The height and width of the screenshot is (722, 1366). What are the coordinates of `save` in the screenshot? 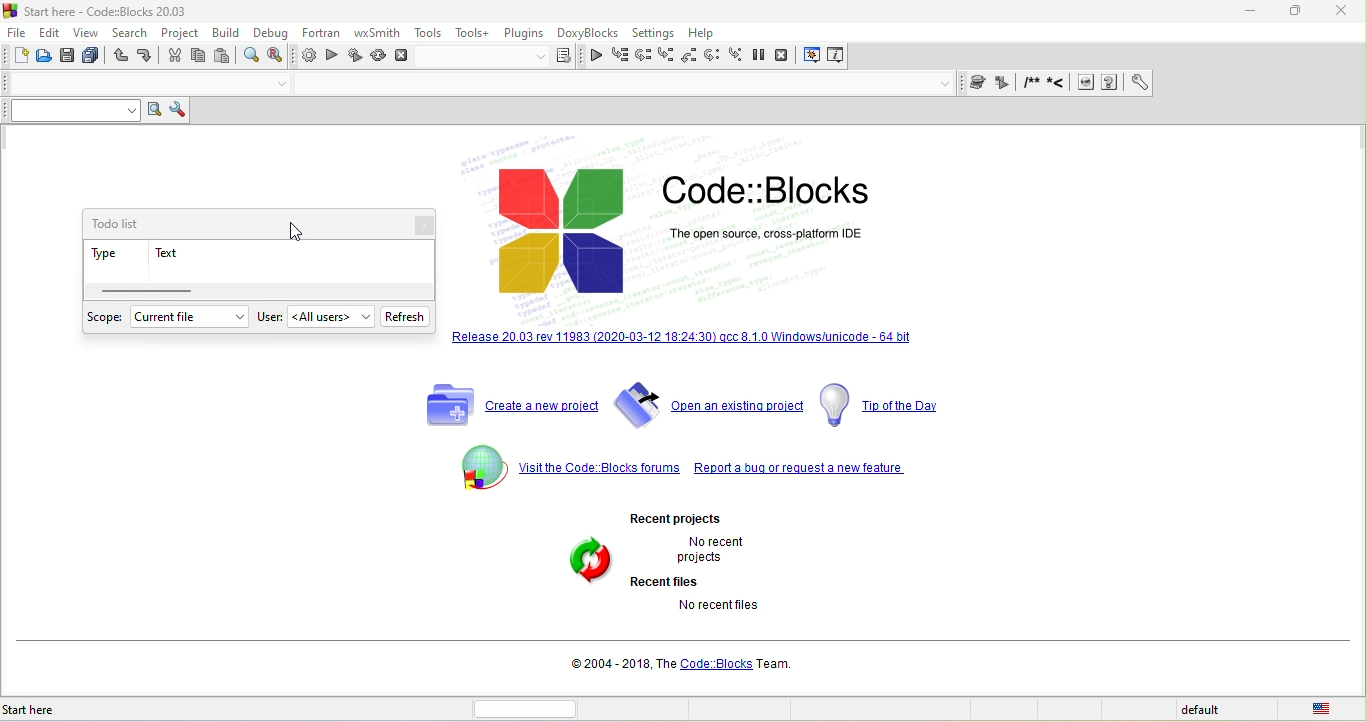 It's located at (70, 56).